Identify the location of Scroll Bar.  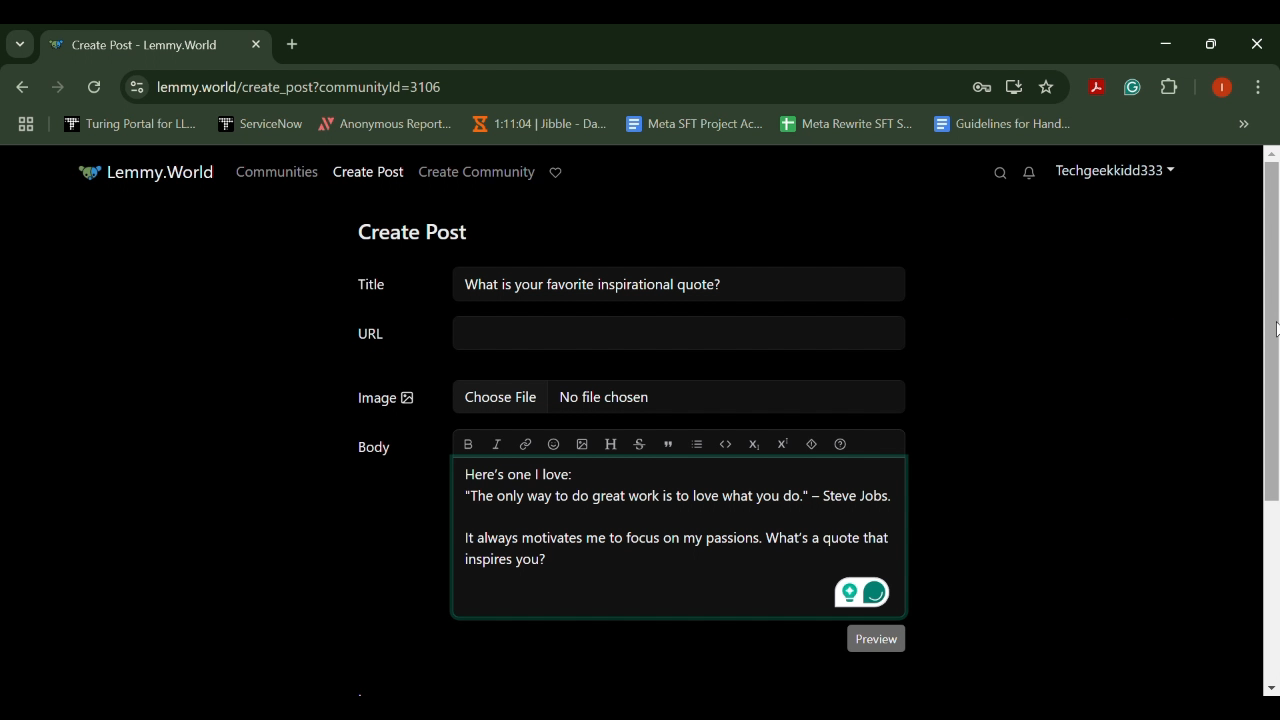
(1272, 419).